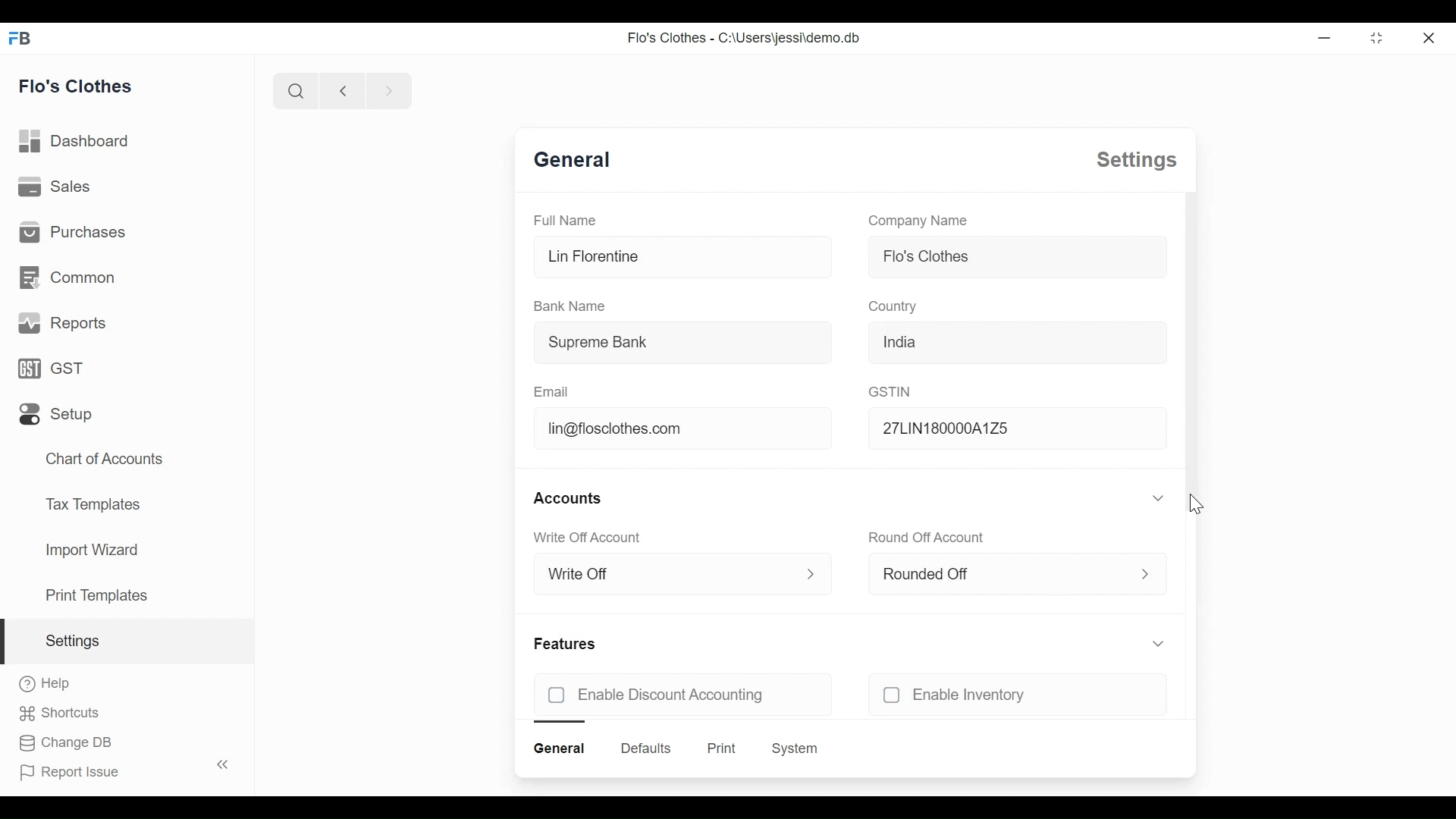 The height and width of the screenshot is (819, 1456). Describe the element at coordinates (562, 748) in the screenshot. I see `General` at that location.